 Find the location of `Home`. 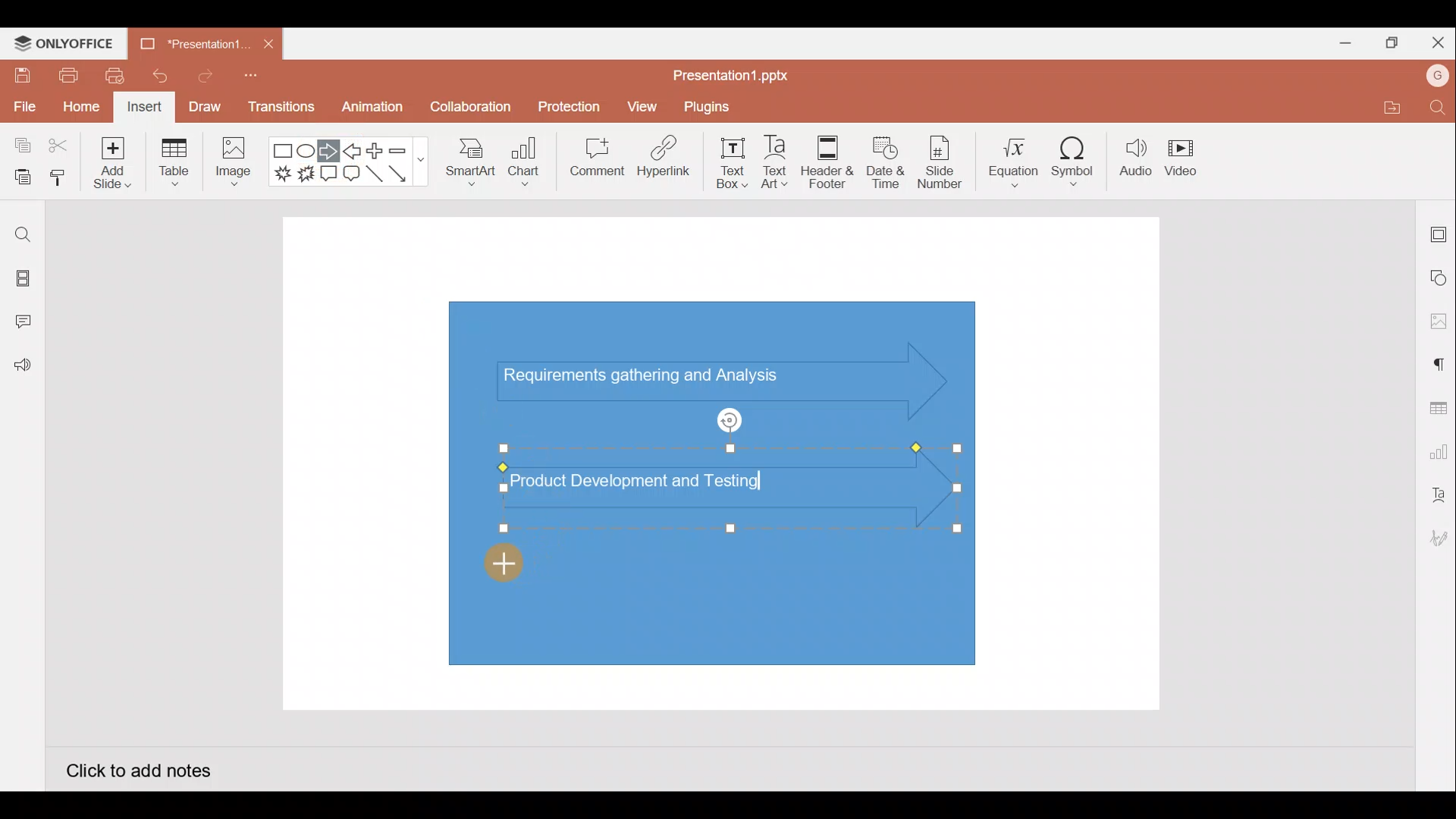

Home is located at coordinates (81, 108).